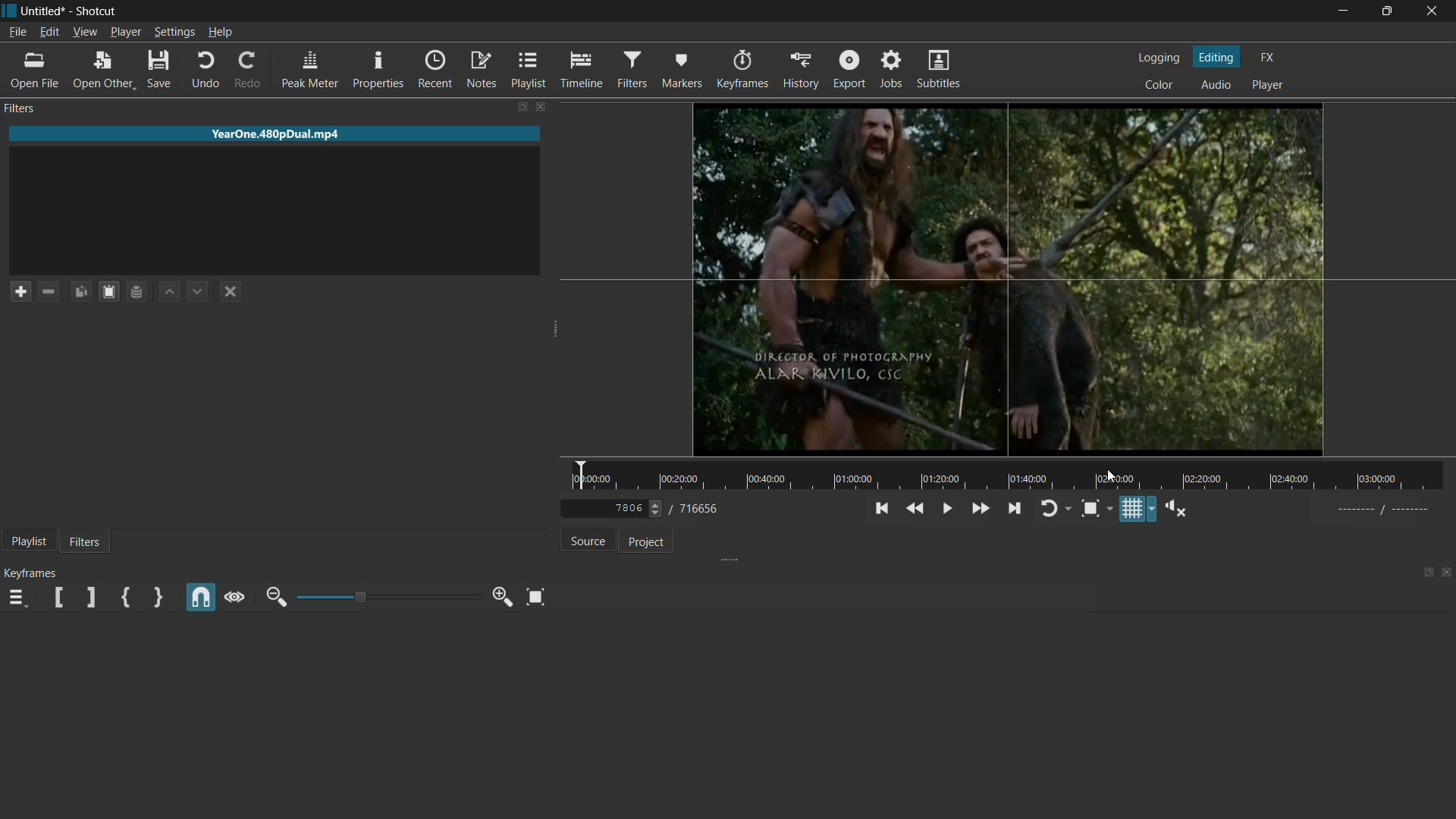  Describe the element at coordinates (944, 509) in the screenshot. I see `toggle play or pause` at that location.